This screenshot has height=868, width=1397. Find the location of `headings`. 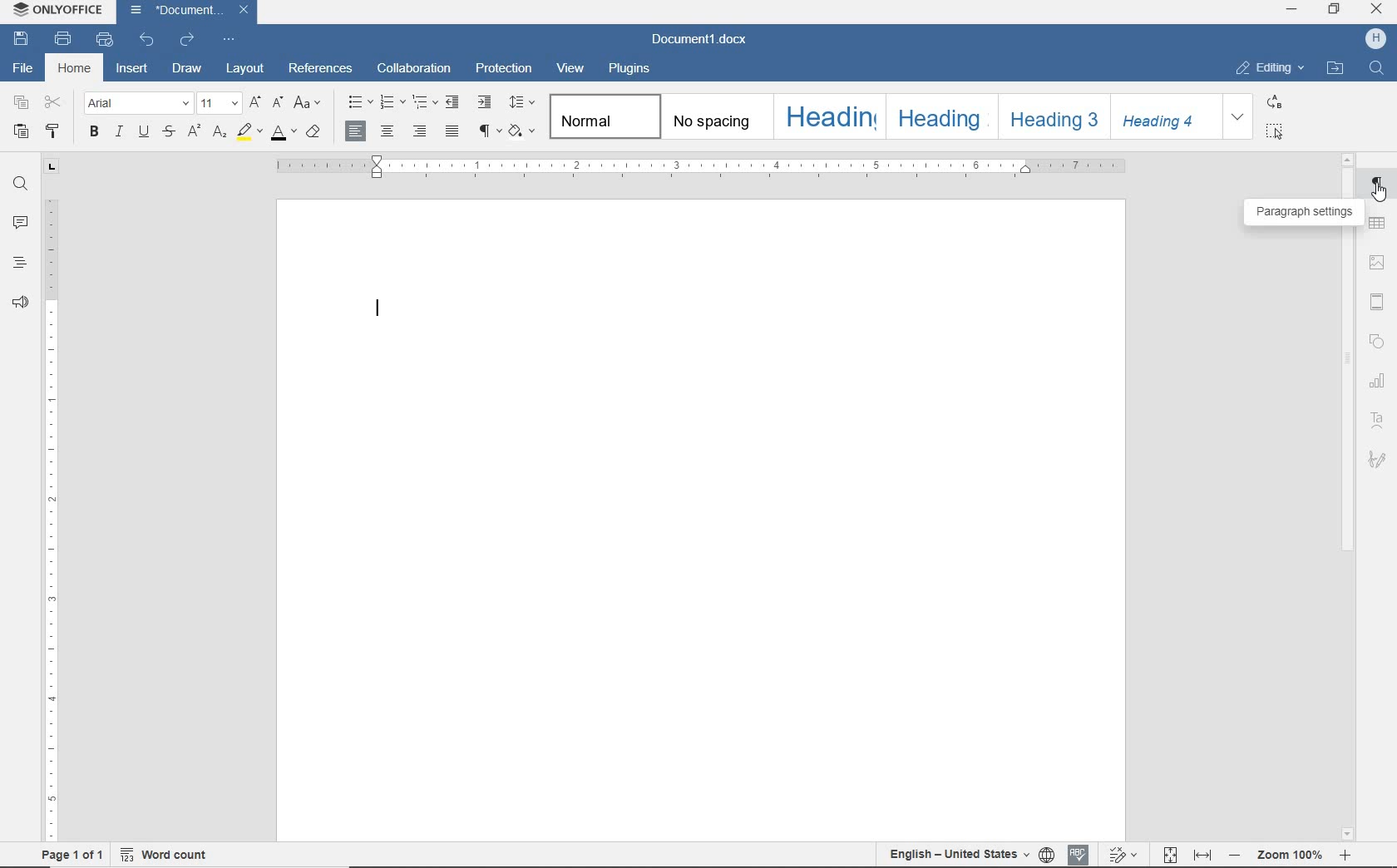

headings is located at coordinates (19, 262).